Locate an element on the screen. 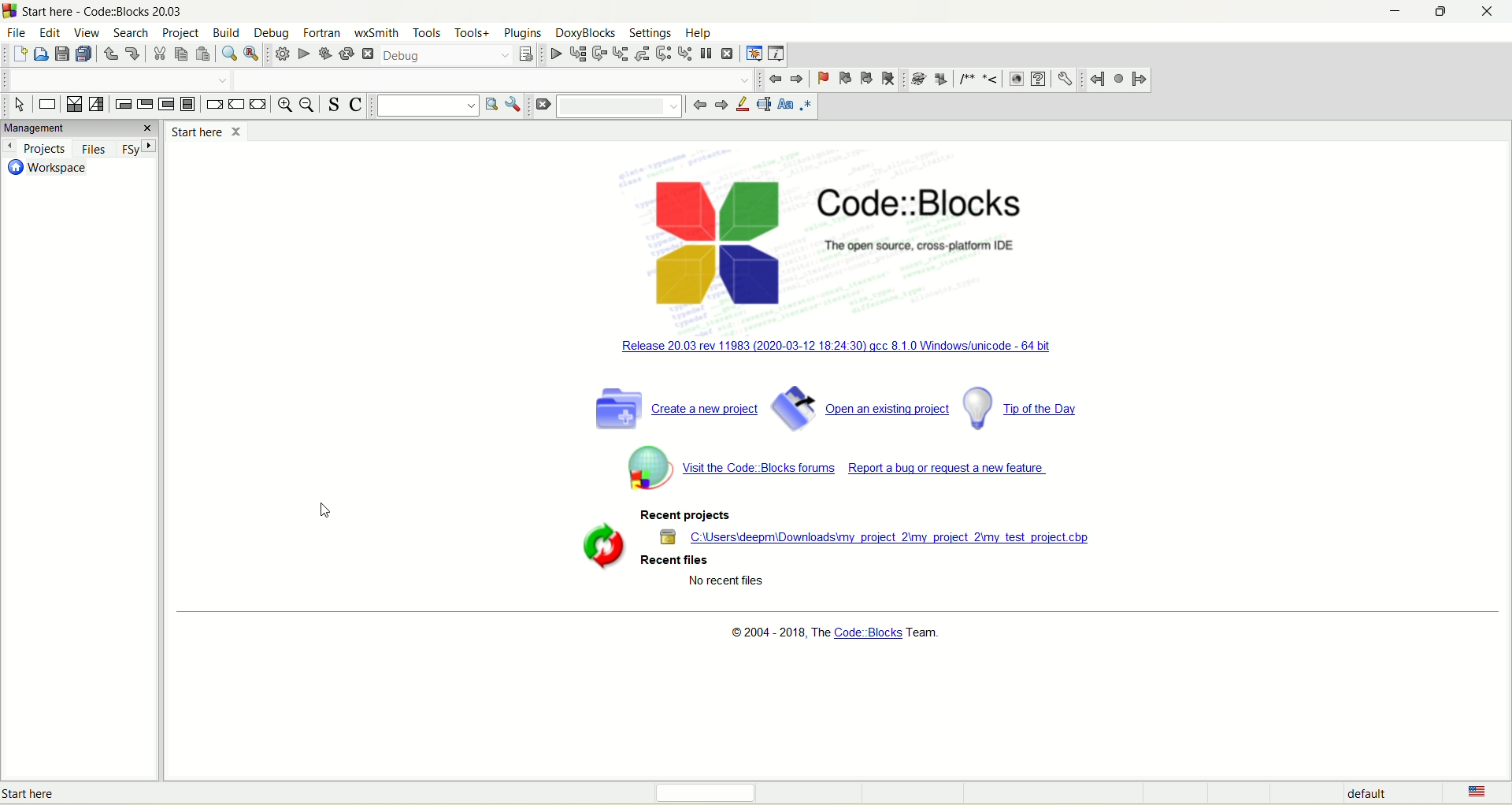 Image resolution: width=1512 pixels, height=805 pixels. help is located at coordinates (697, 34).